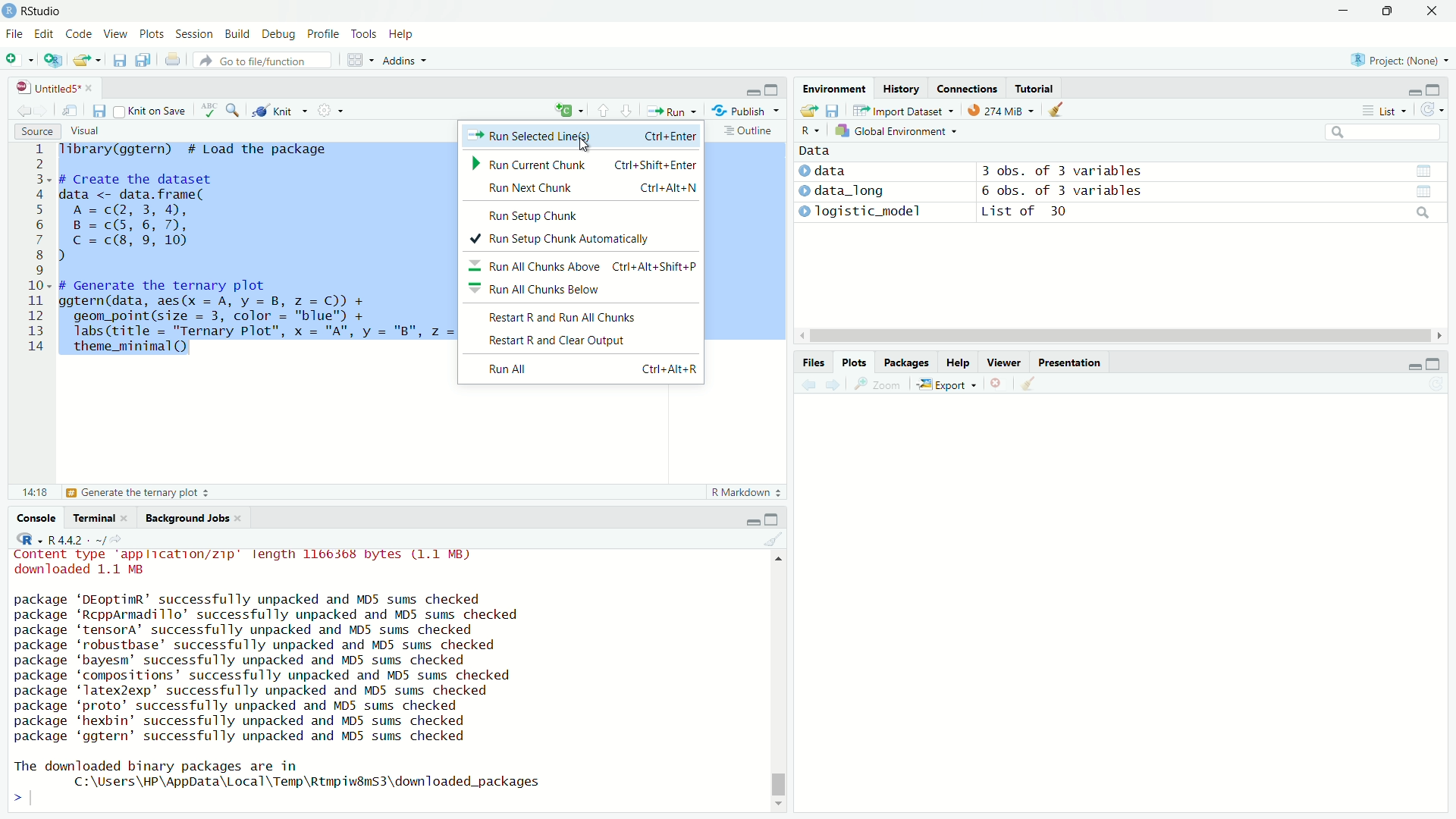 This screenshot has width=1456, height=819. Describe the element at coordinates (1431, 191) in the screenshot. I see `view` at that location.